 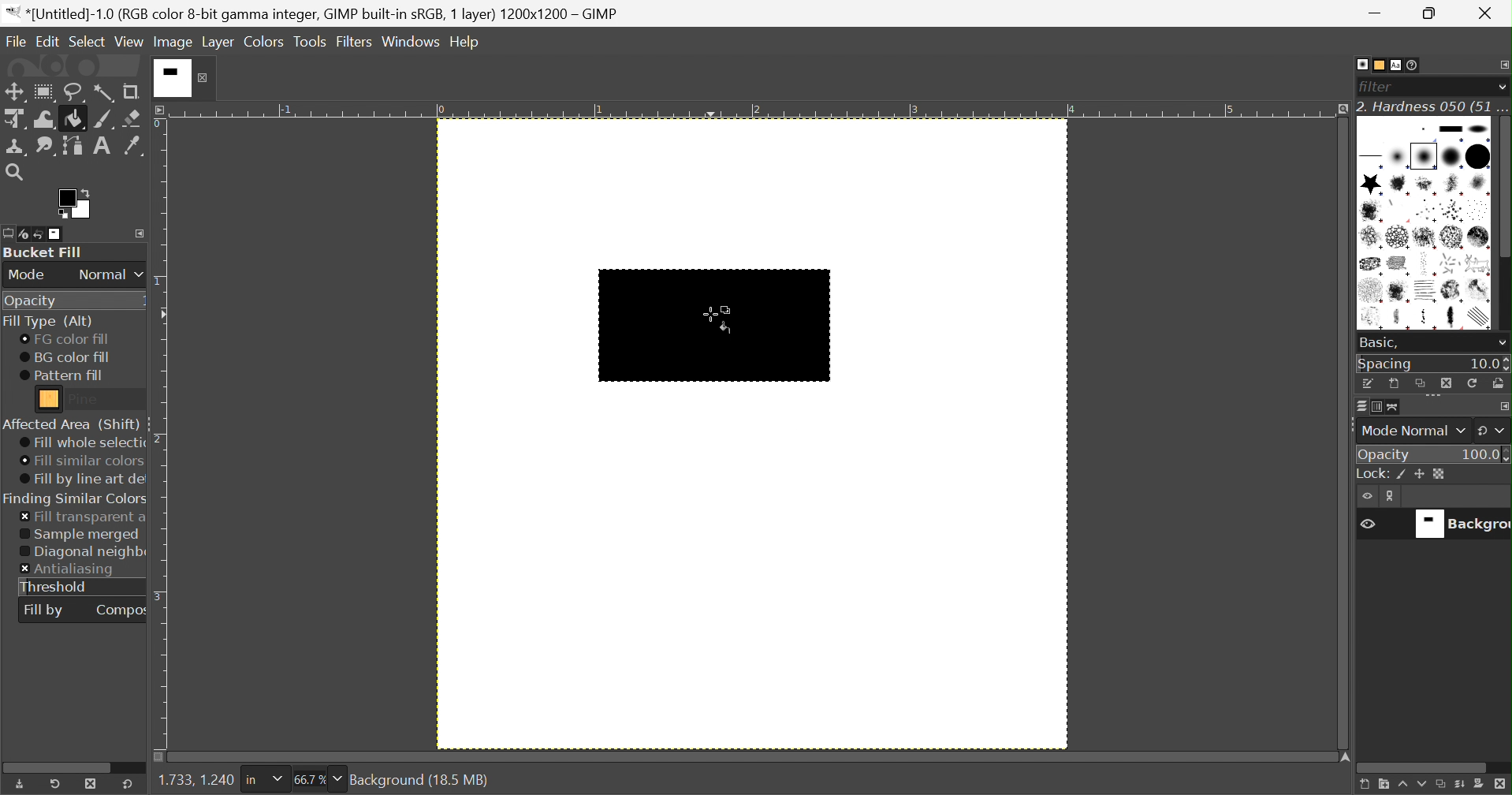 I want to click on Background (18.1 MB), so click(x=420, y=780).